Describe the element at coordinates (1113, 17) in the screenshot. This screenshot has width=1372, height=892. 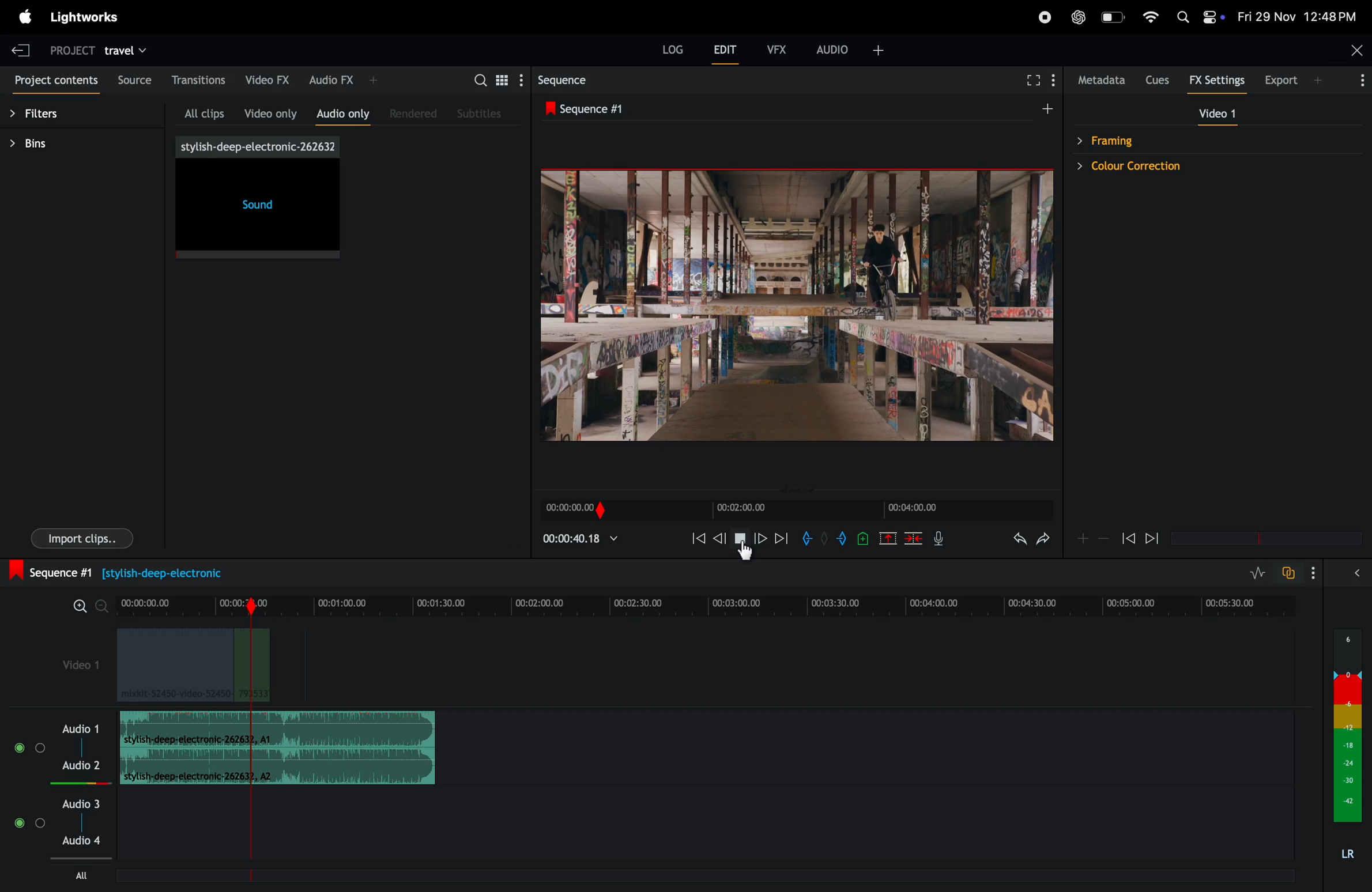
I see `battery` at that location.